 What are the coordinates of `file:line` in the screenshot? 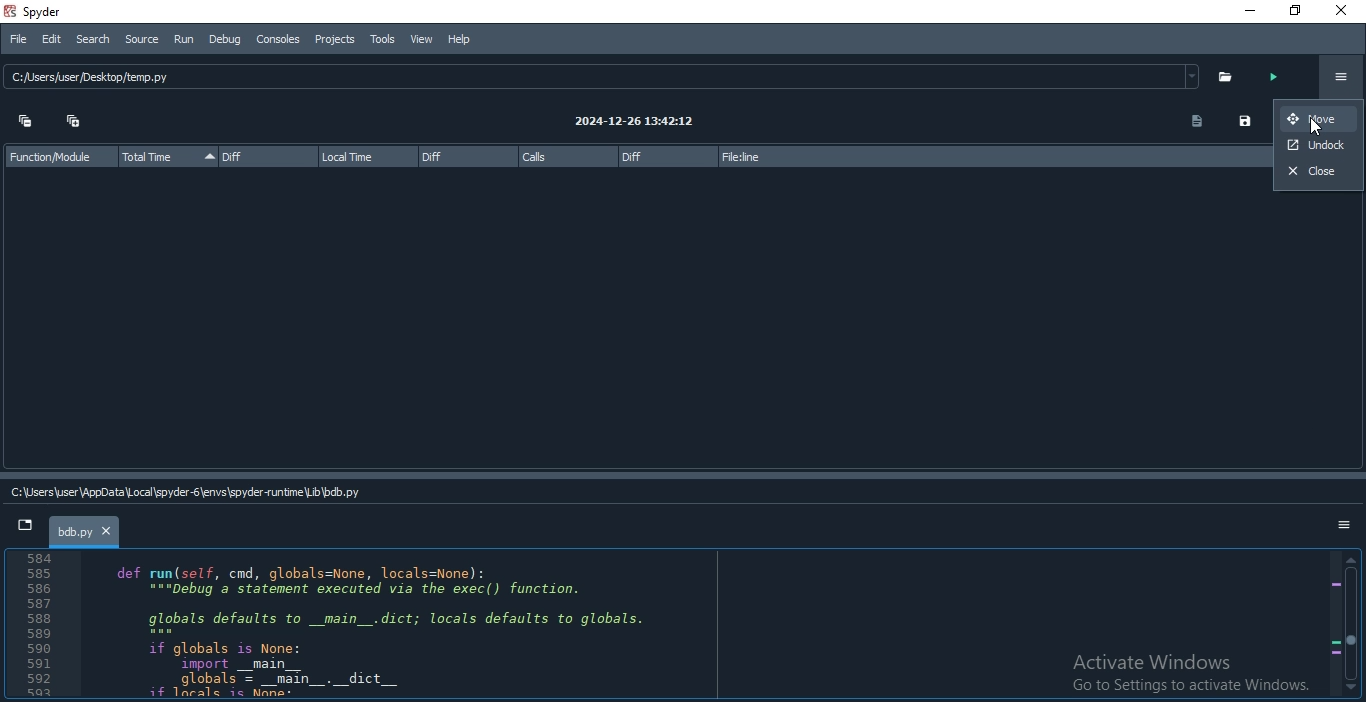 It's located at (992, 157).